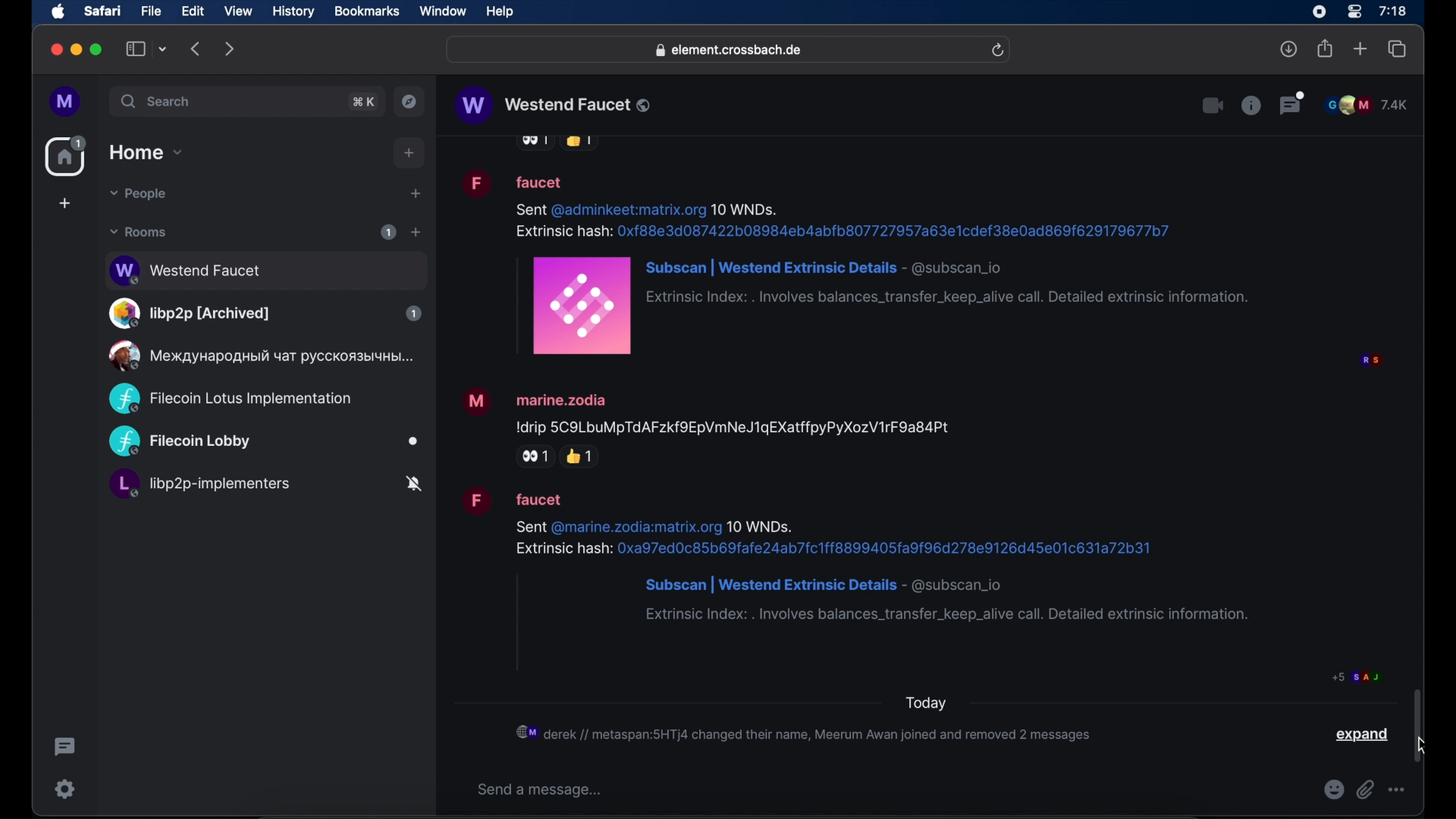 This screenshot has height=819, width=1456. What do you see at coordinates (193, 11) in the screenshot?
I see `edit` at bounding box center [193, 11].